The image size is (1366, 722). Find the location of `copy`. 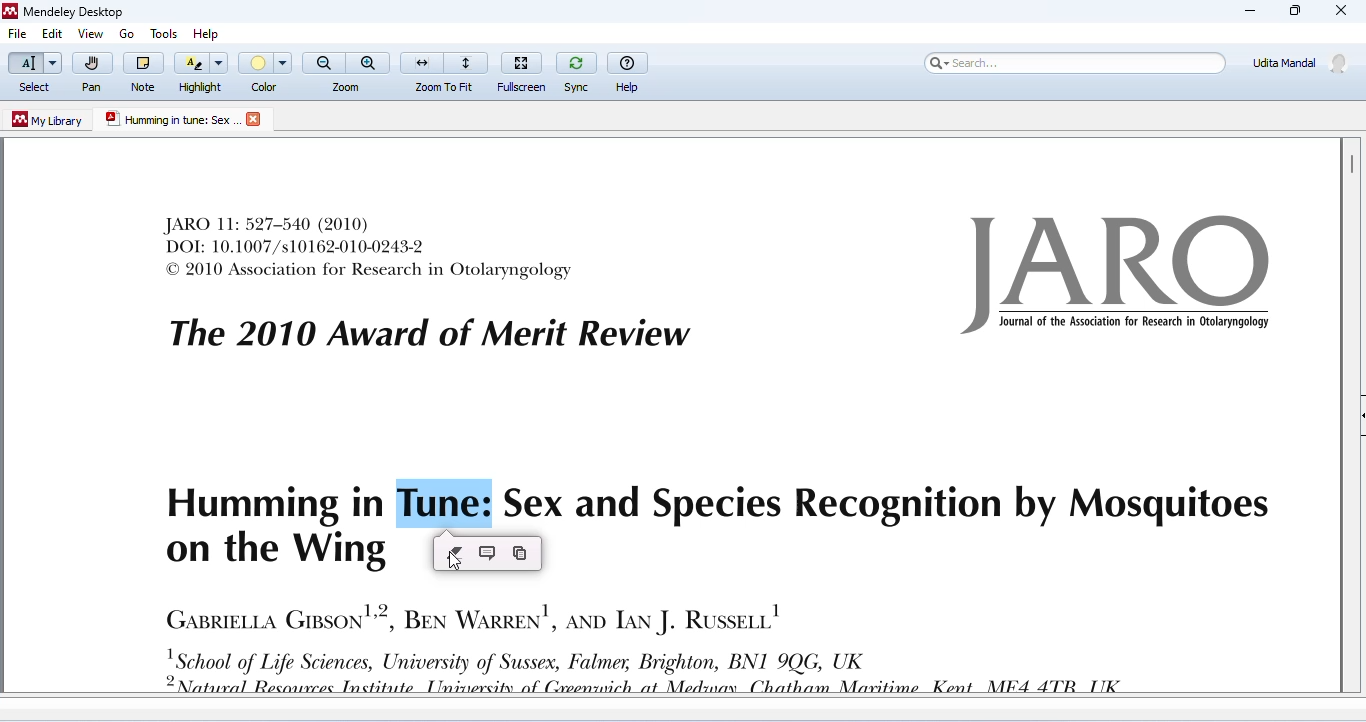

copy is located at coordinates (519, 553).